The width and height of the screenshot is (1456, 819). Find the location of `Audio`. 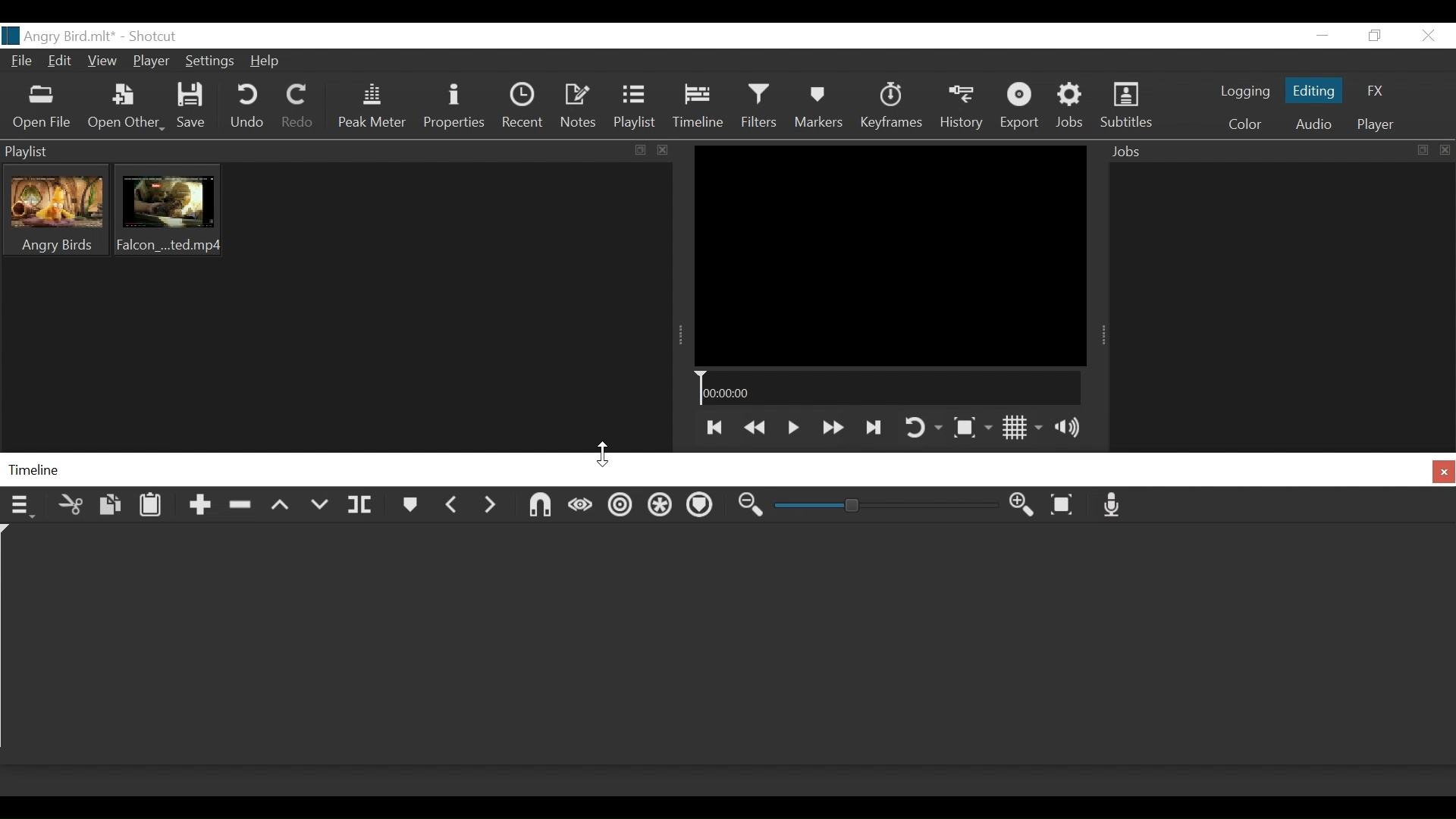

Audio is located at coordinates (1312, 125).